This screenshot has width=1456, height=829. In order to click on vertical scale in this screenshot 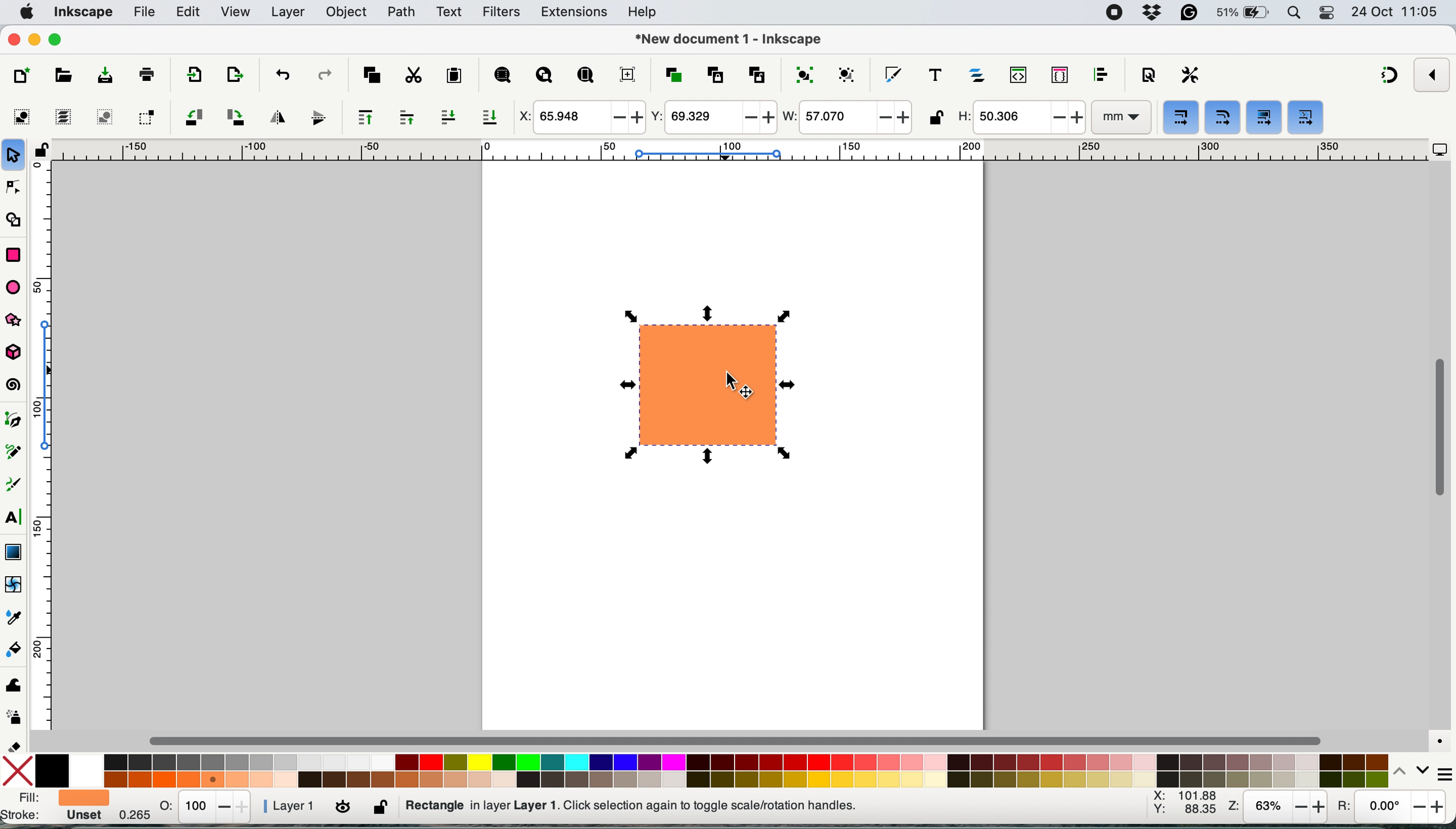, I will do `click(52, 451)`.